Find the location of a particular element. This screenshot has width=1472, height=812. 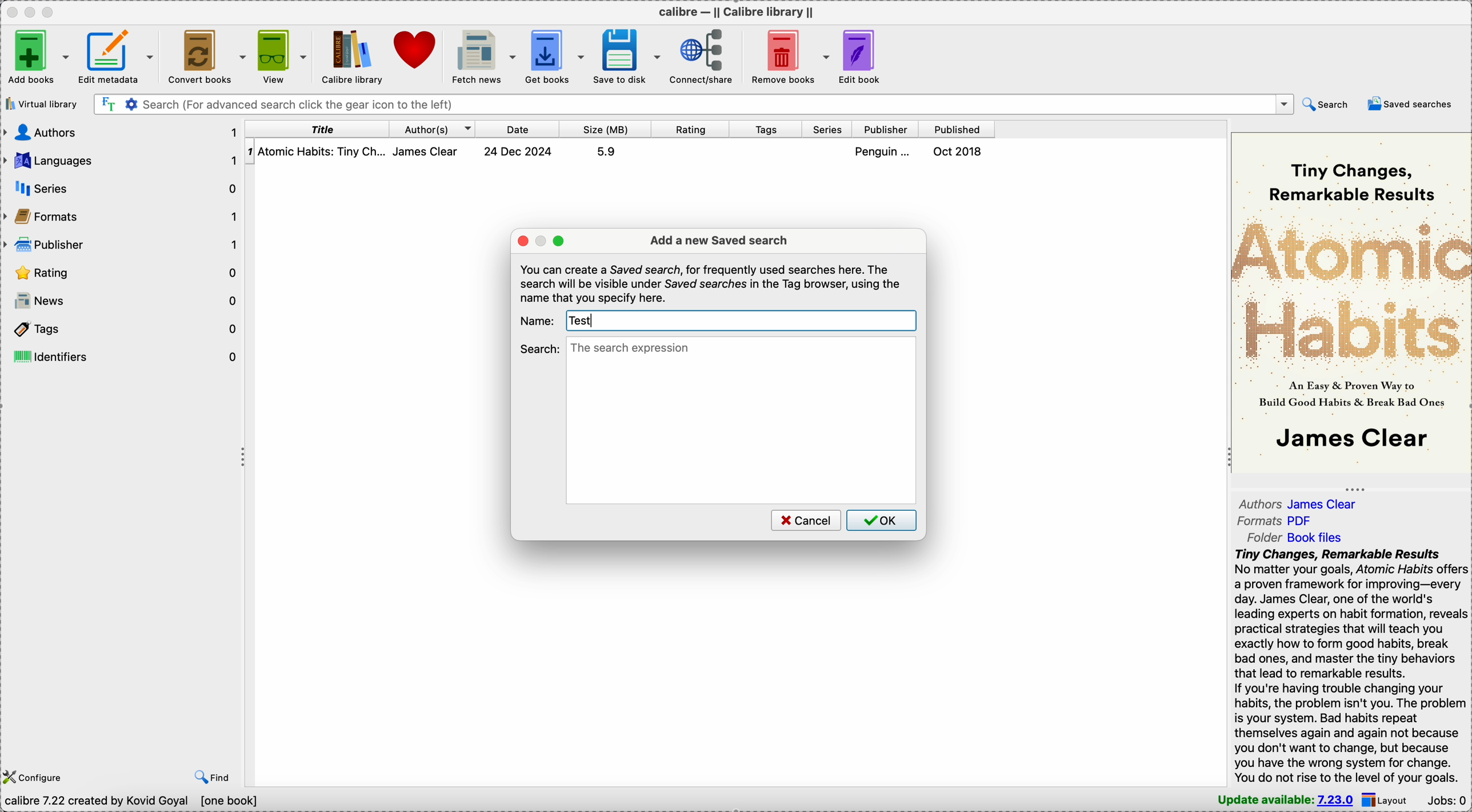

series is located at coordinates (828, 130).